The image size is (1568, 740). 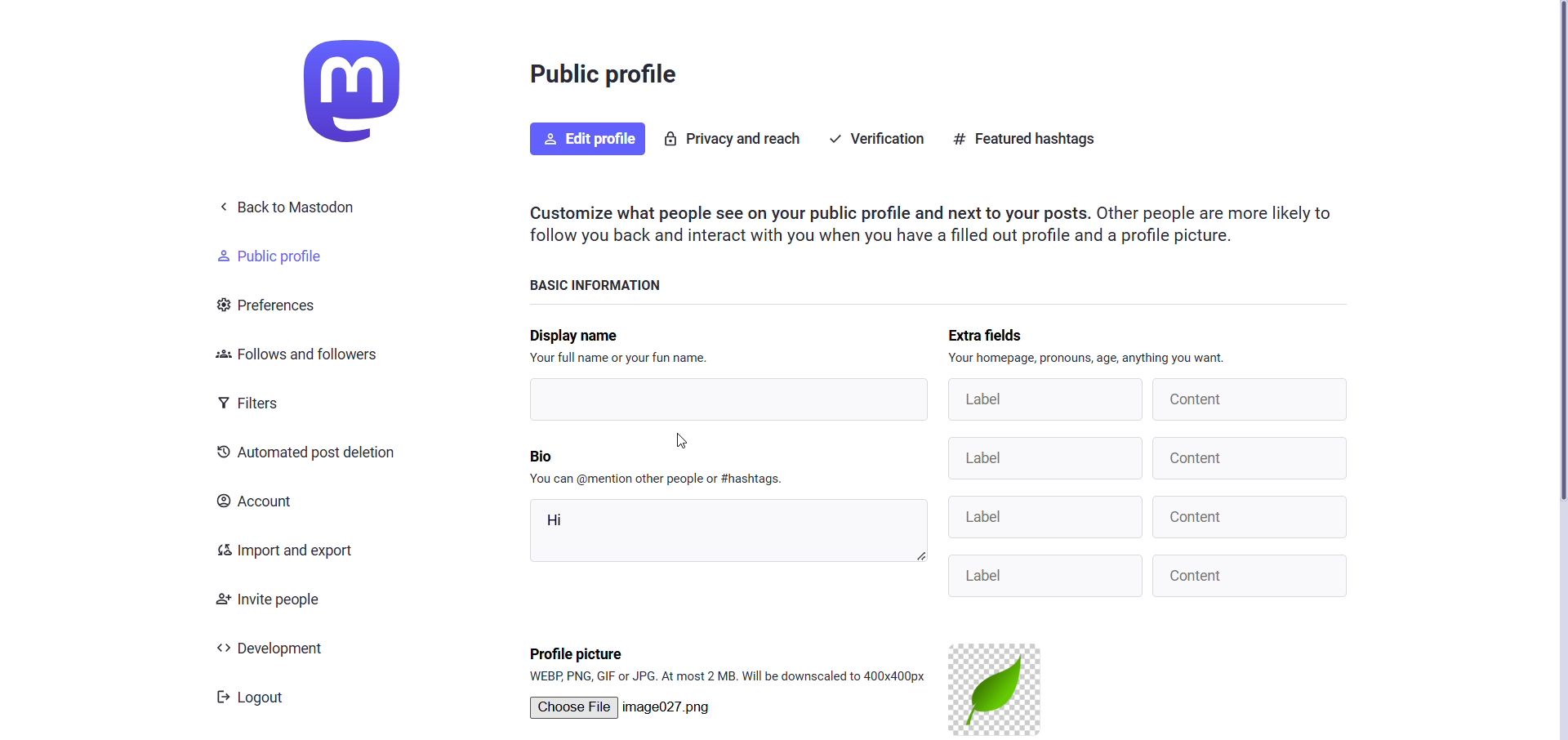 What do you see at coordinates (291, 351) in the screenshot?
I see `follows and followers` at bounding box center [291, 351].